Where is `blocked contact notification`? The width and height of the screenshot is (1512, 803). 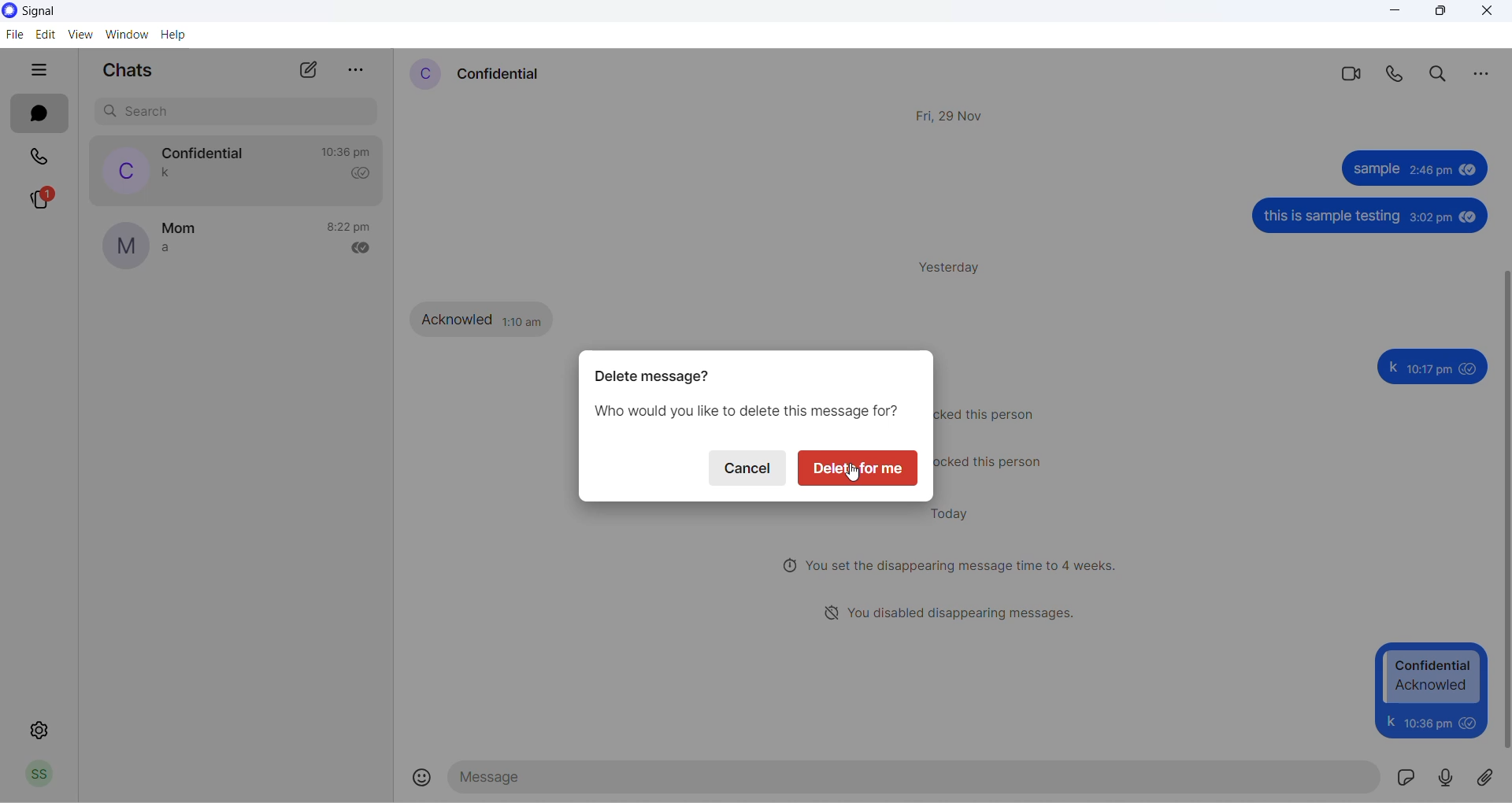 blocked contact notification is located at coordinates (993, 413).